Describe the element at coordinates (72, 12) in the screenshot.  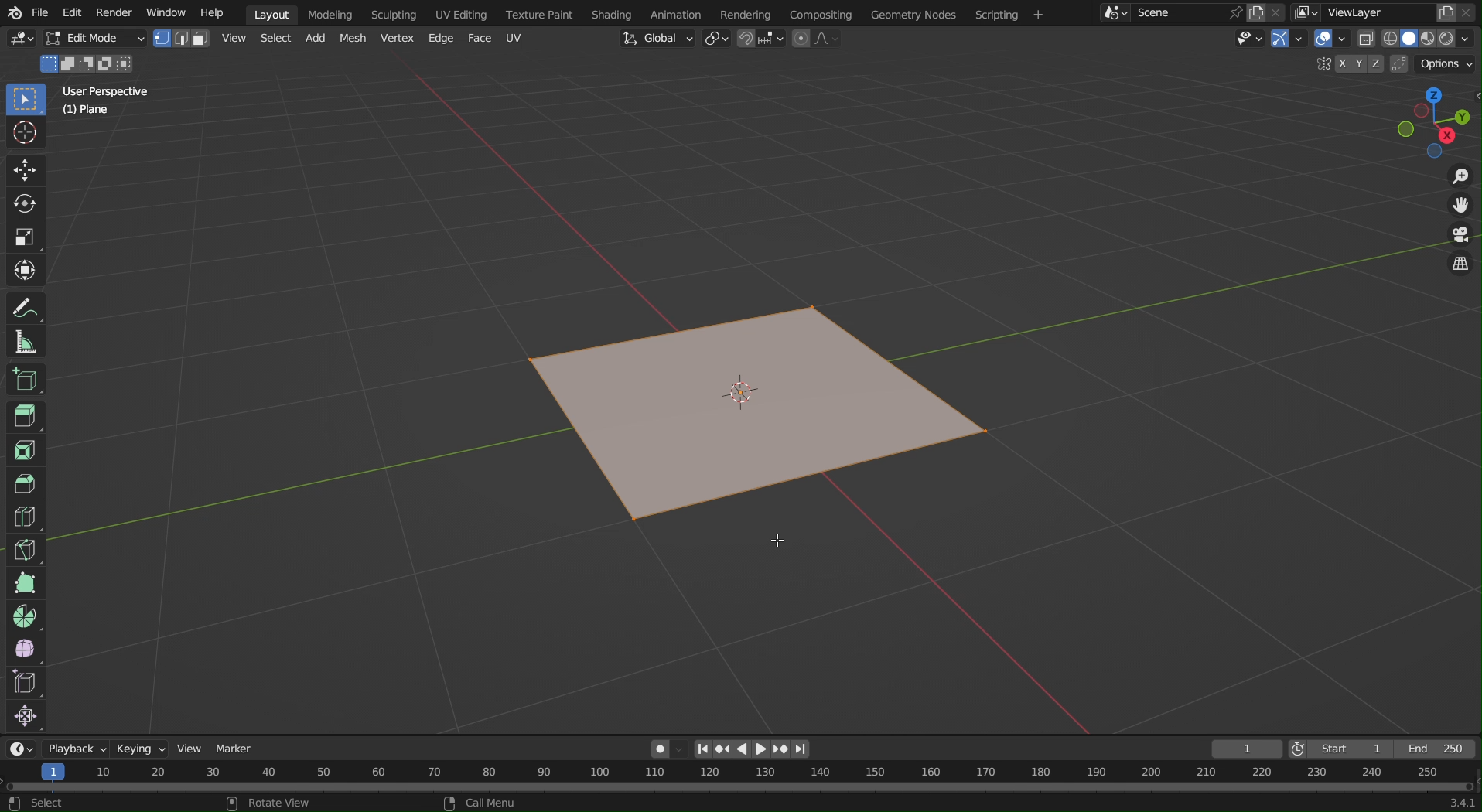
I see `Edit` at that location.